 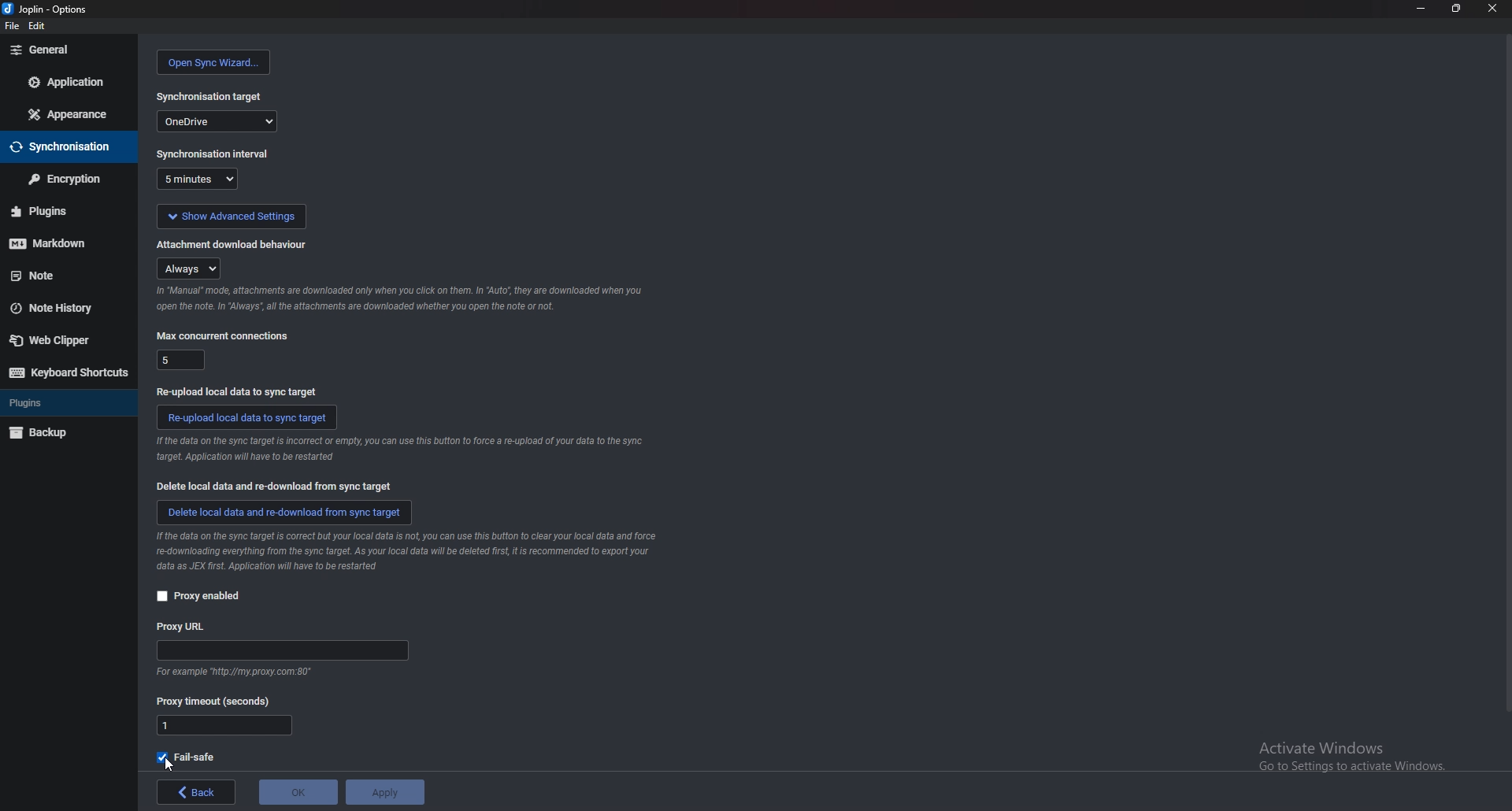 What do you see at coordinates (210, 95) in the screenshot?
I see `sync target` at bounding box center [210, 95].